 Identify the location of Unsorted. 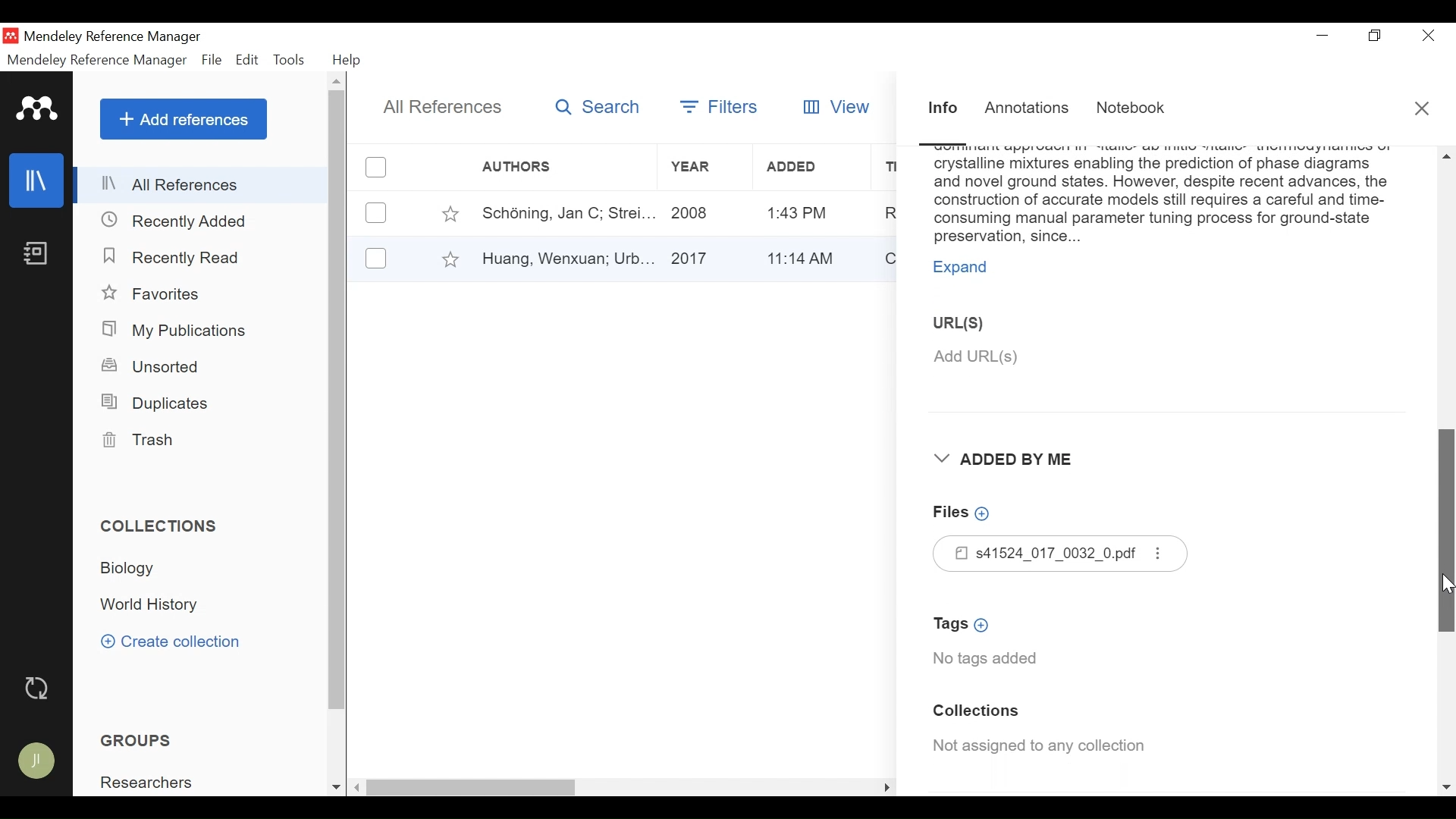
(152, 366).